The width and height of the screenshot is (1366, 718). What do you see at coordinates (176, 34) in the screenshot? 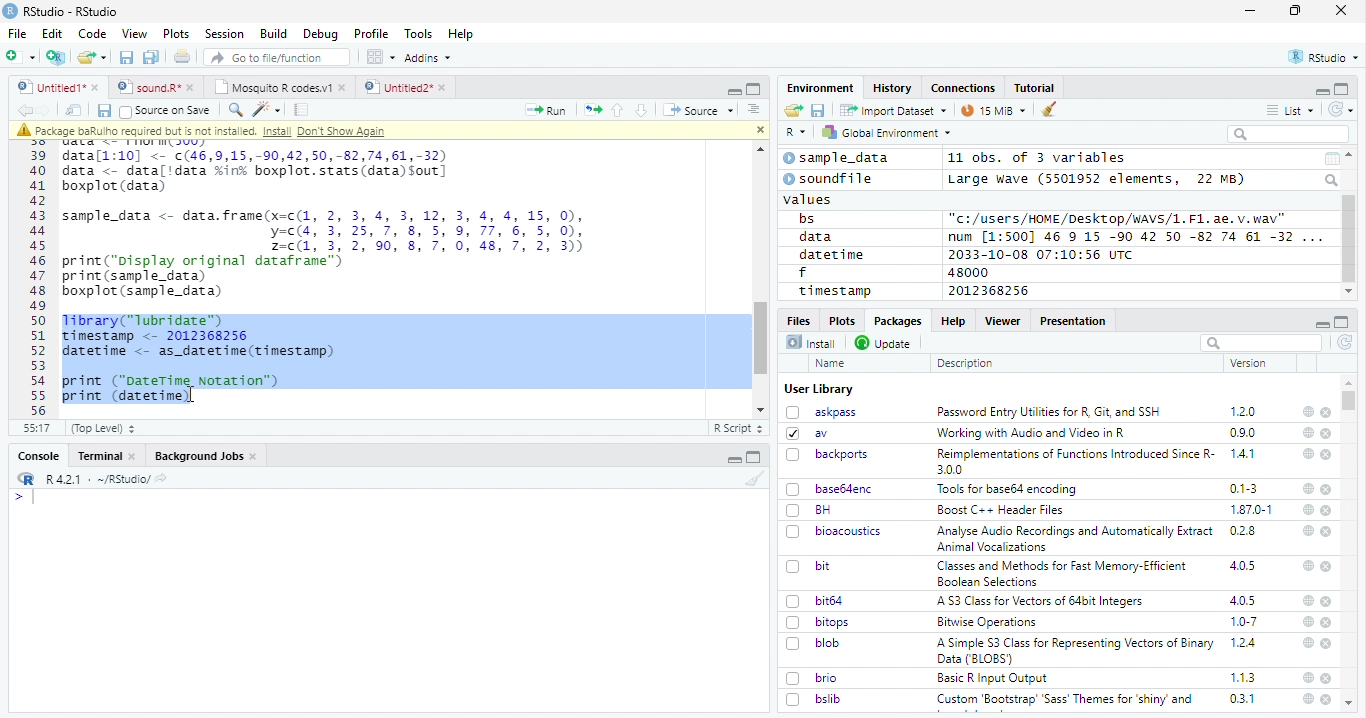
I see `Plots` at bounding box center [176, 34].